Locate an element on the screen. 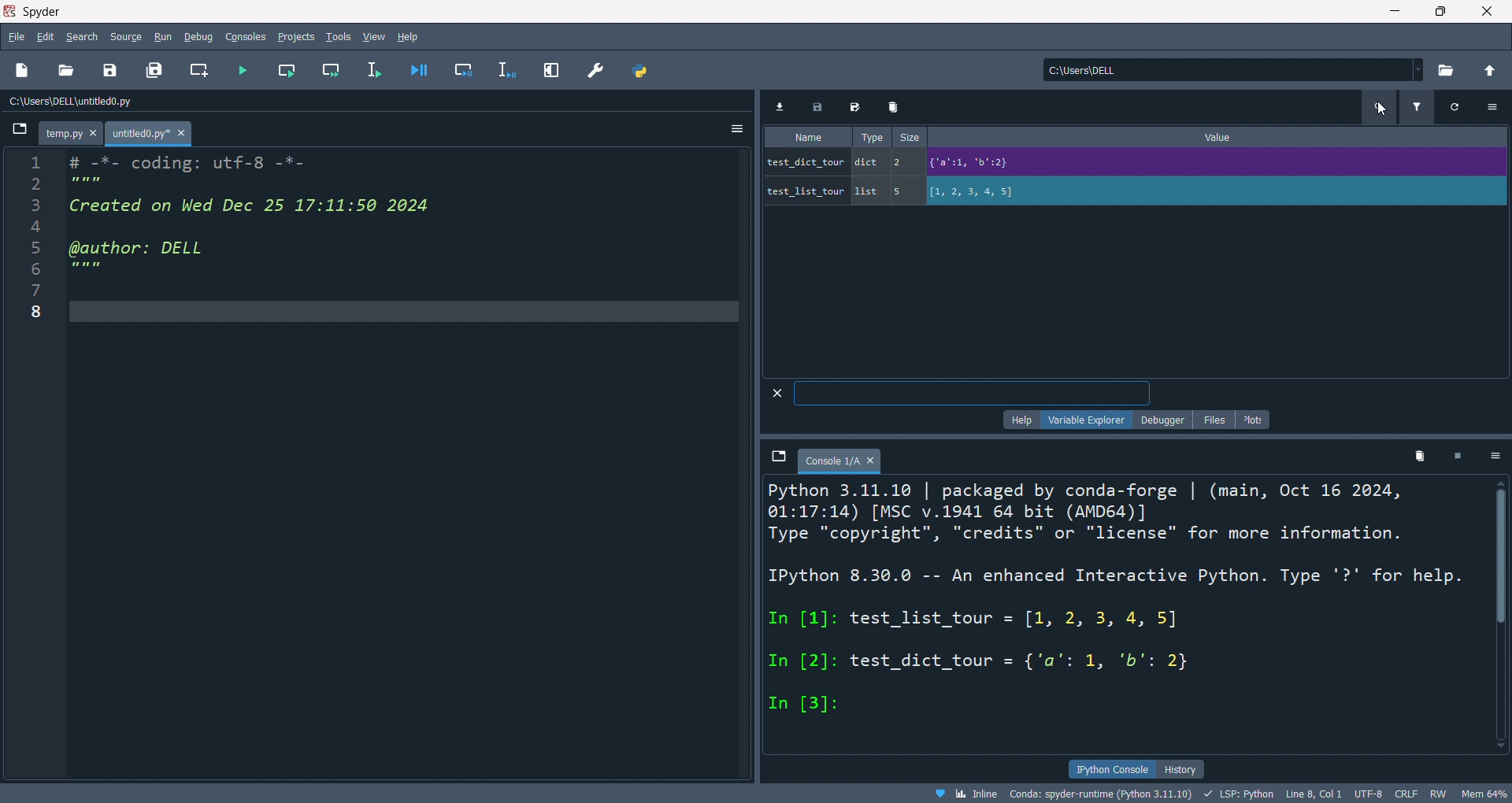 The width and height of the screenshot is (1512, 803). tab is located at coordinates (843, 461).